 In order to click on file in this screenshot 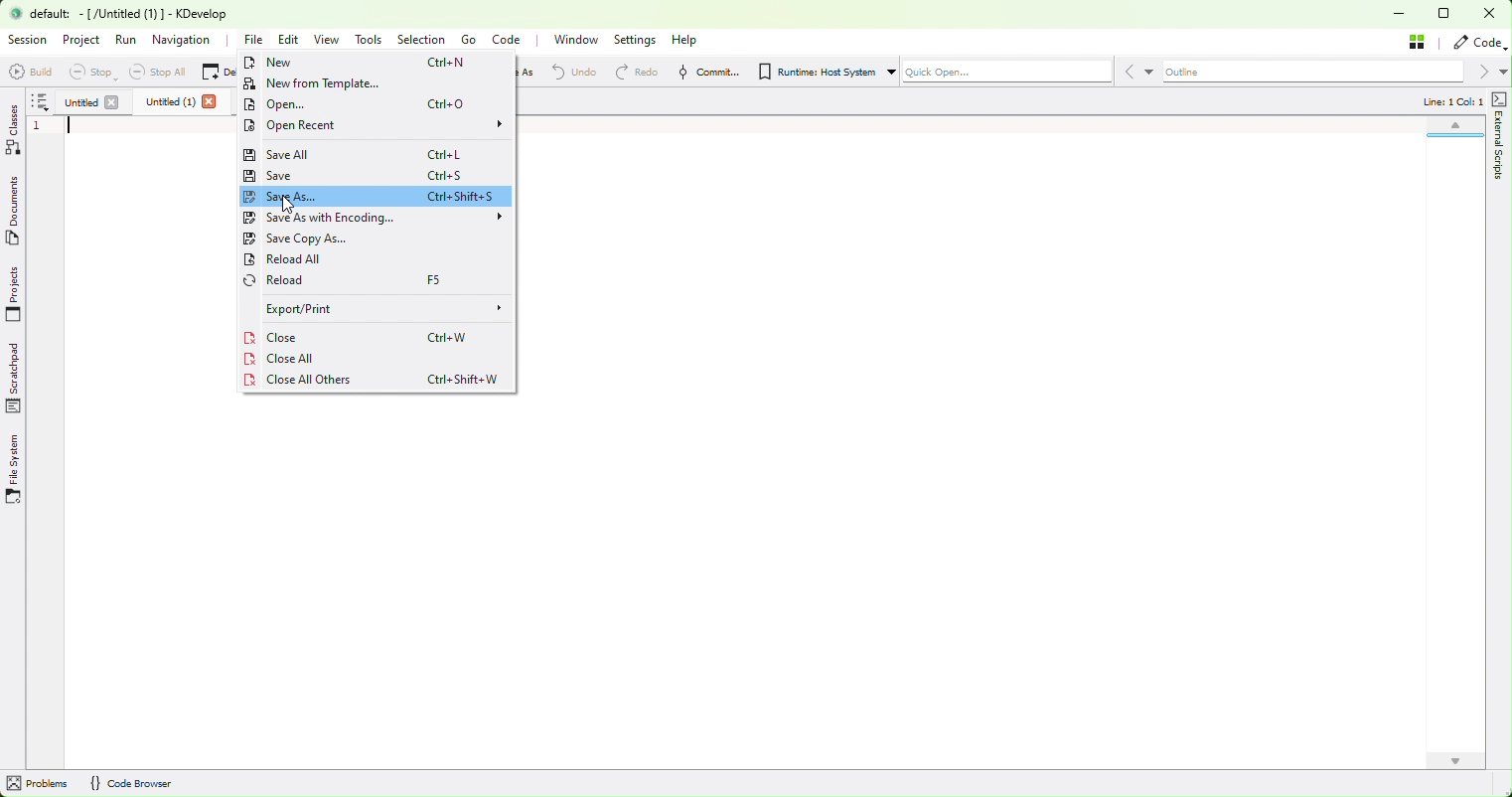, I will do `click(252, 42)`.